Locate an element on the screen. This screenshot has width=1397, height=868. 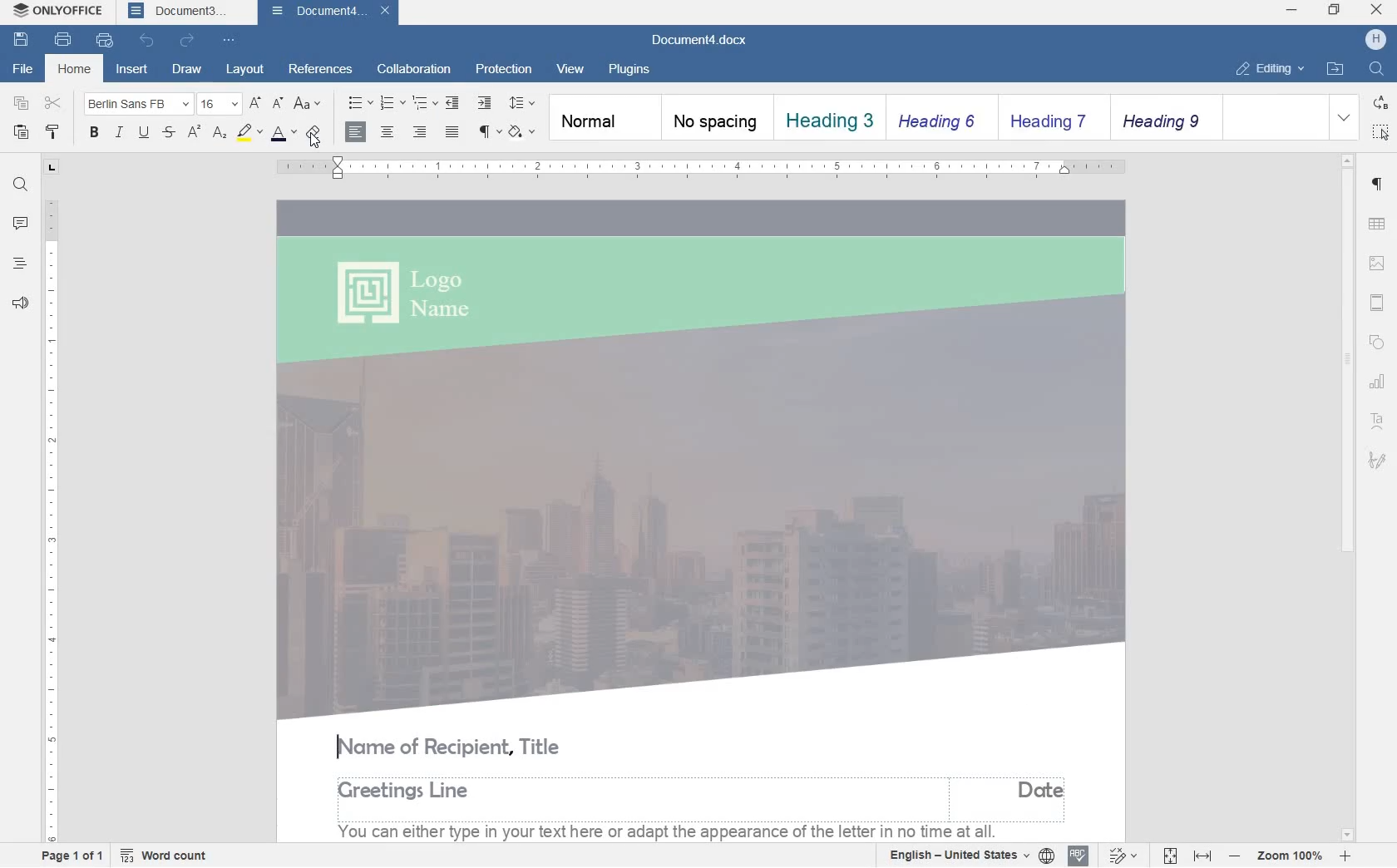
protection is located at coordinates (505, 68).